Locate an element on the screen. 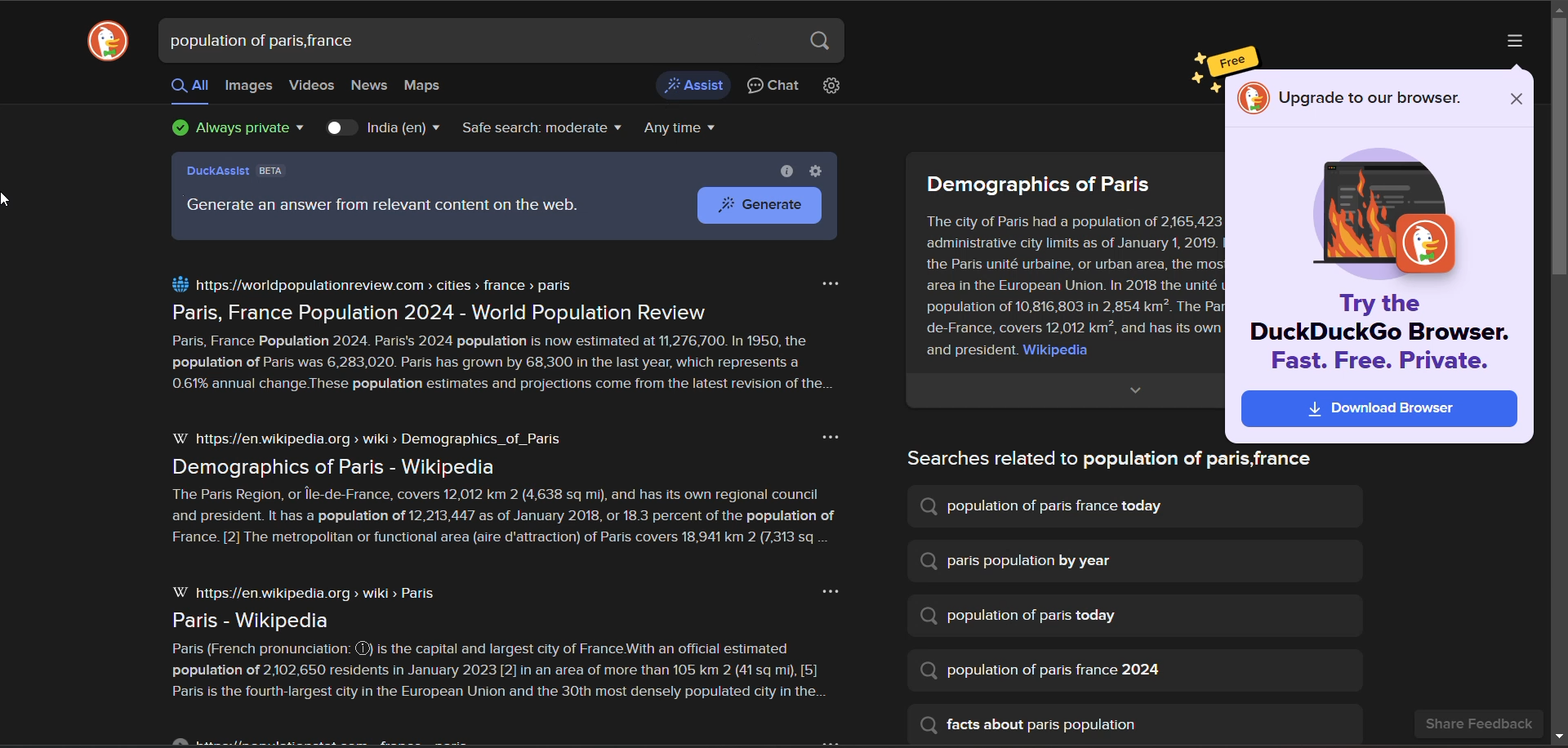  Upgrade to our browser. is located at coordinates (1374, 100).